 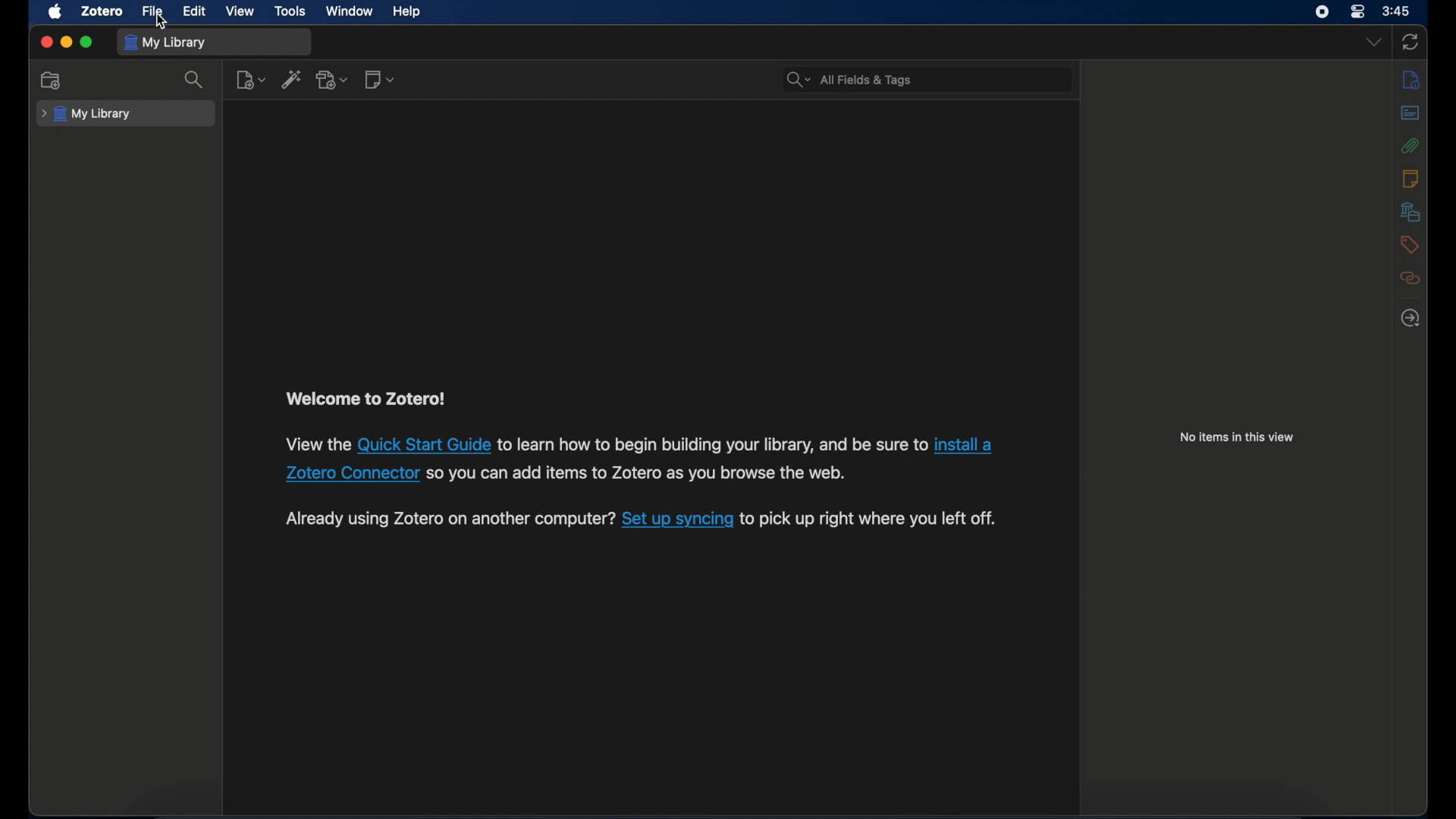 I want to click on attachments, so click(x=1411, y=145).